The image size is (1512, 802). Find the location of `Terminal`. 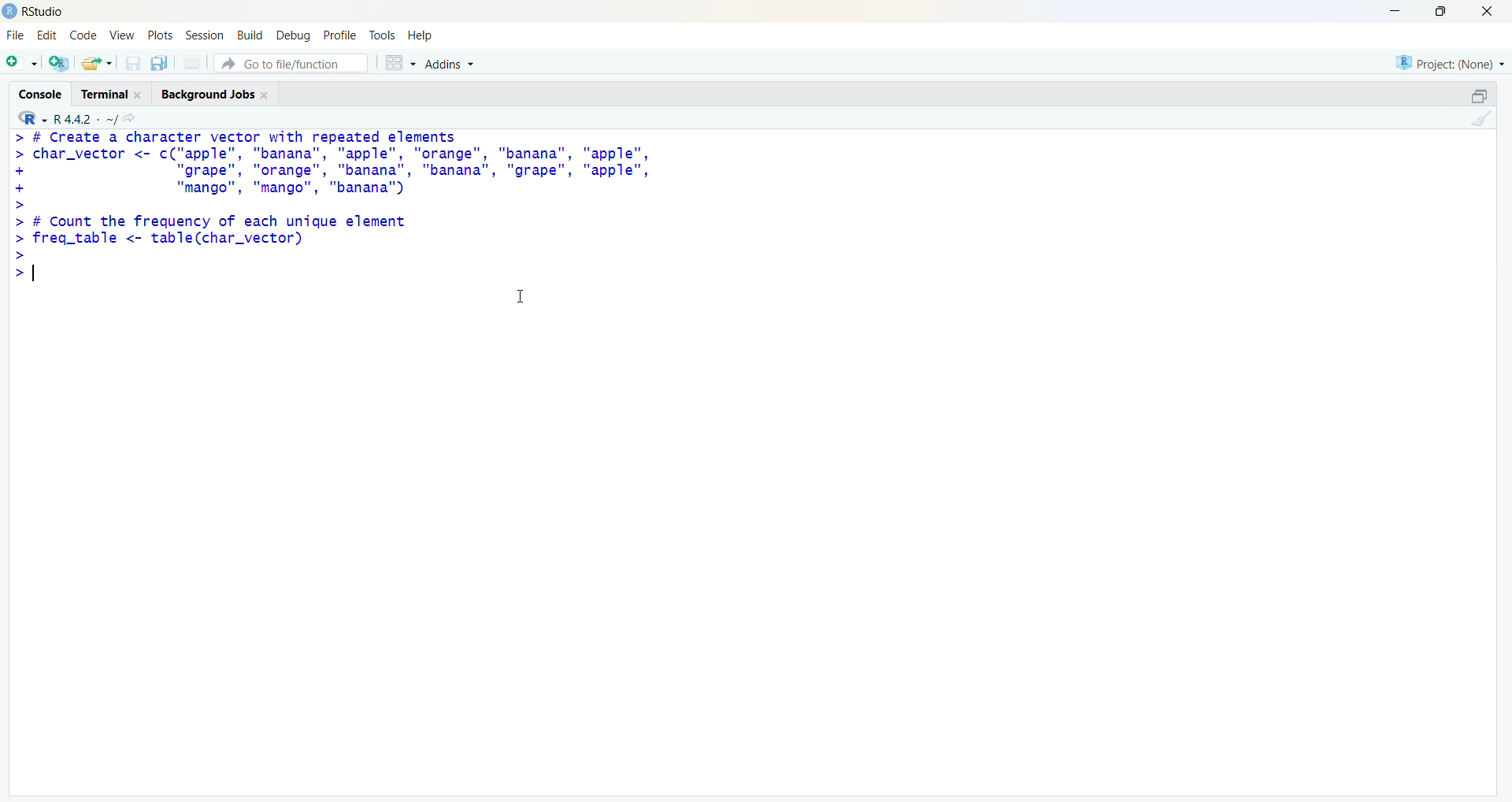

Terminal is located at coordinates (113, 93).